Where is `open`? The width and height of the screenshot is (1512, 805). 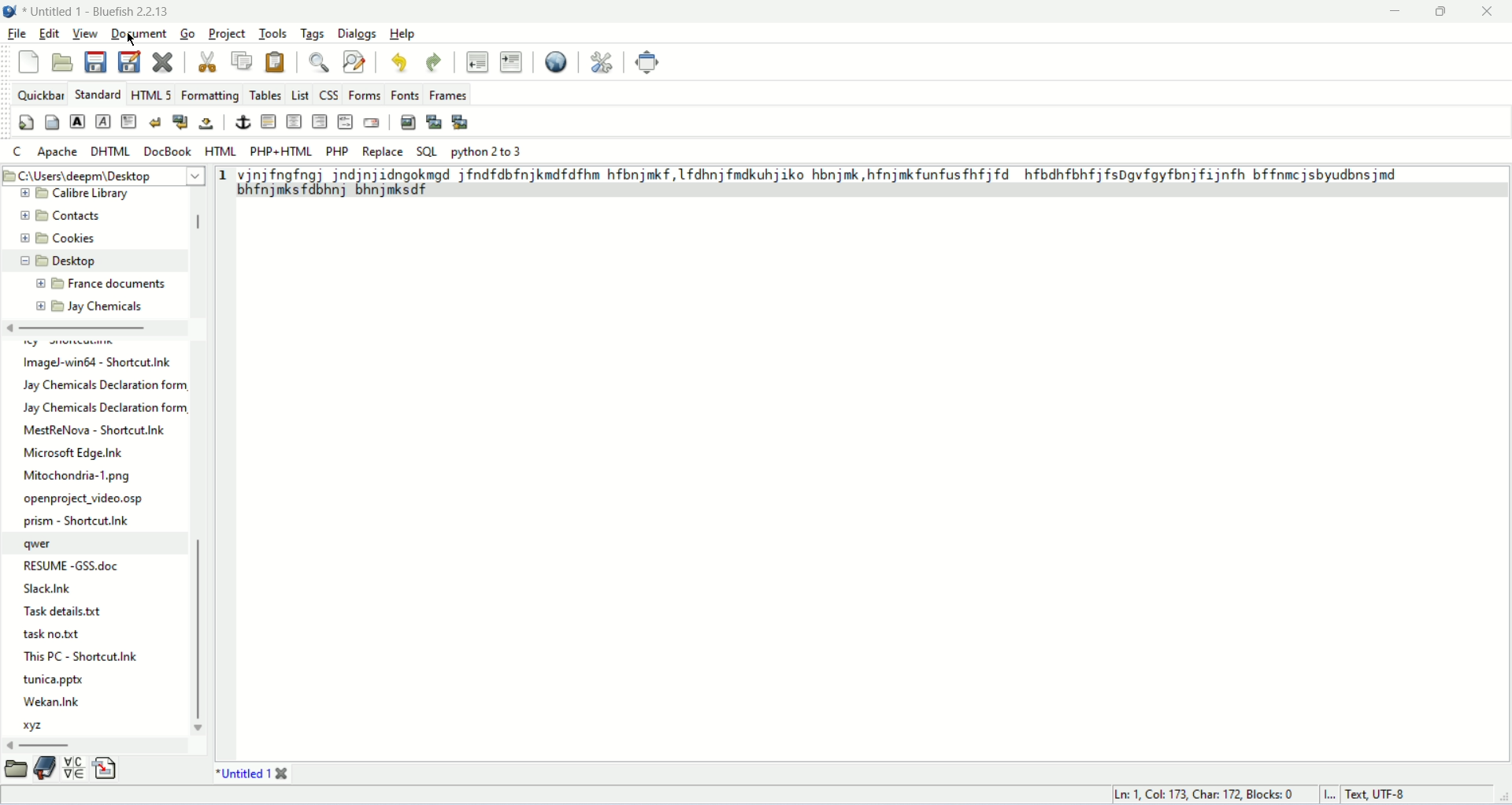 open is located at coordinates (64, 63).